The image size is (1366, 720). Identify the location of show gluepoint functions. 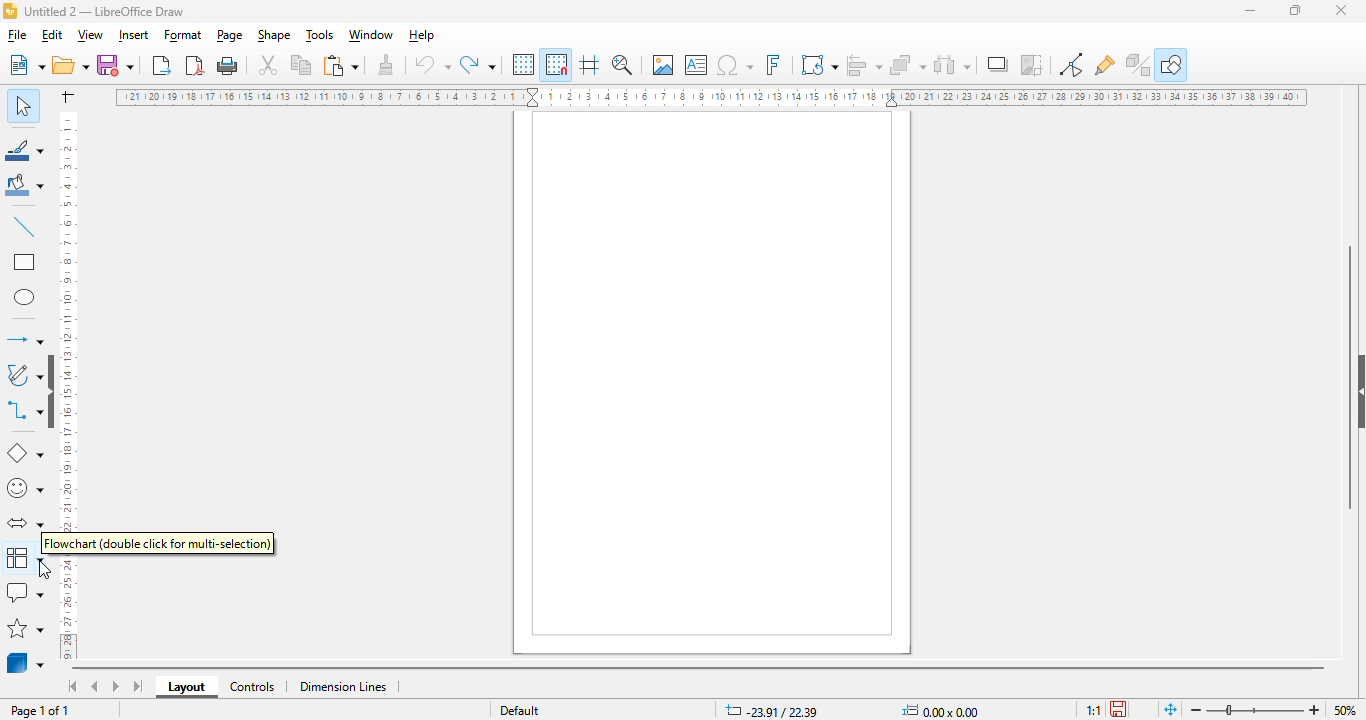
(1105, 66).